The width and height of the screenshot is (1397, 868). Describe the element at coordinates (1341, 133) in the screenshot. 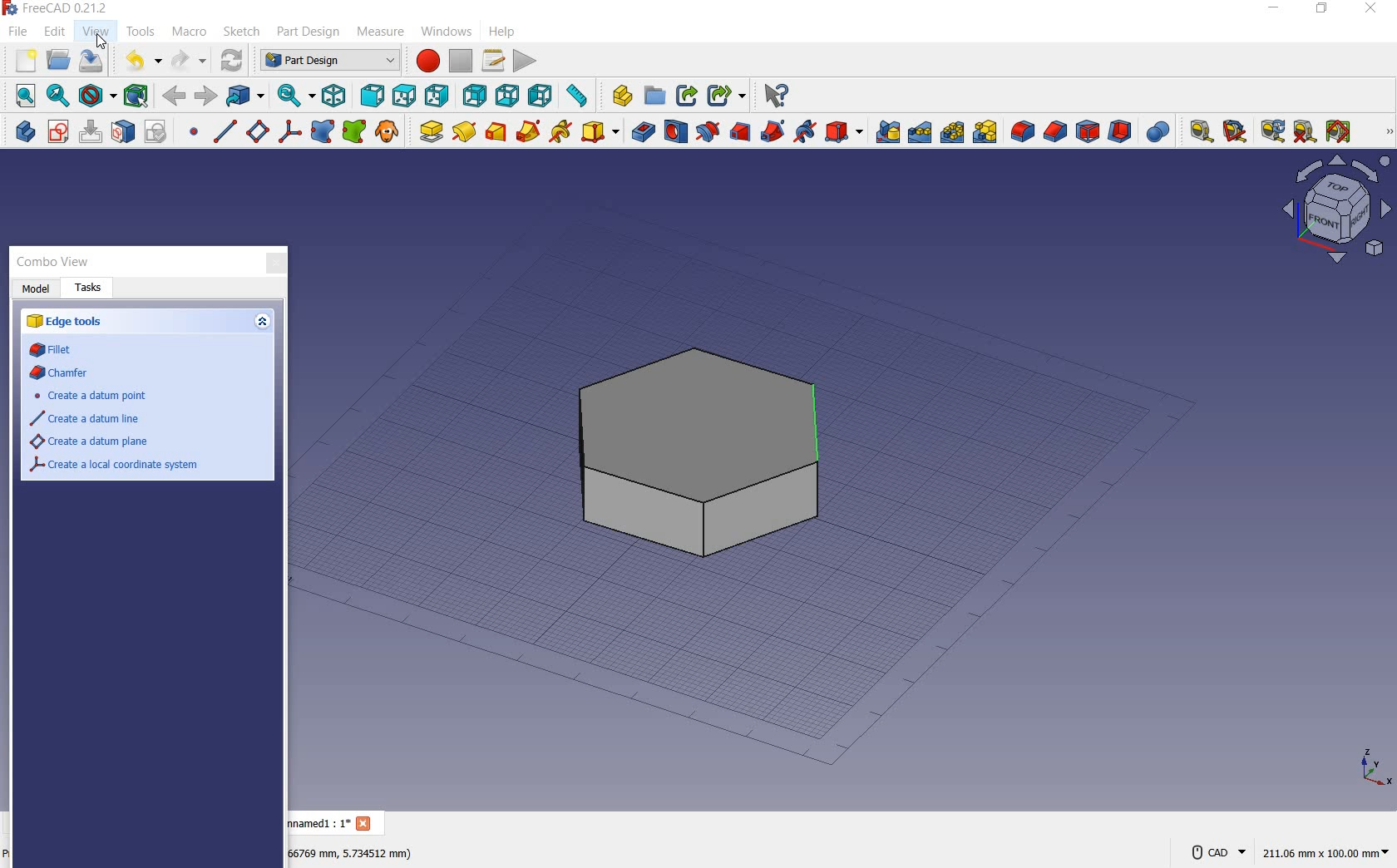

I see `Toggle all` at that location.